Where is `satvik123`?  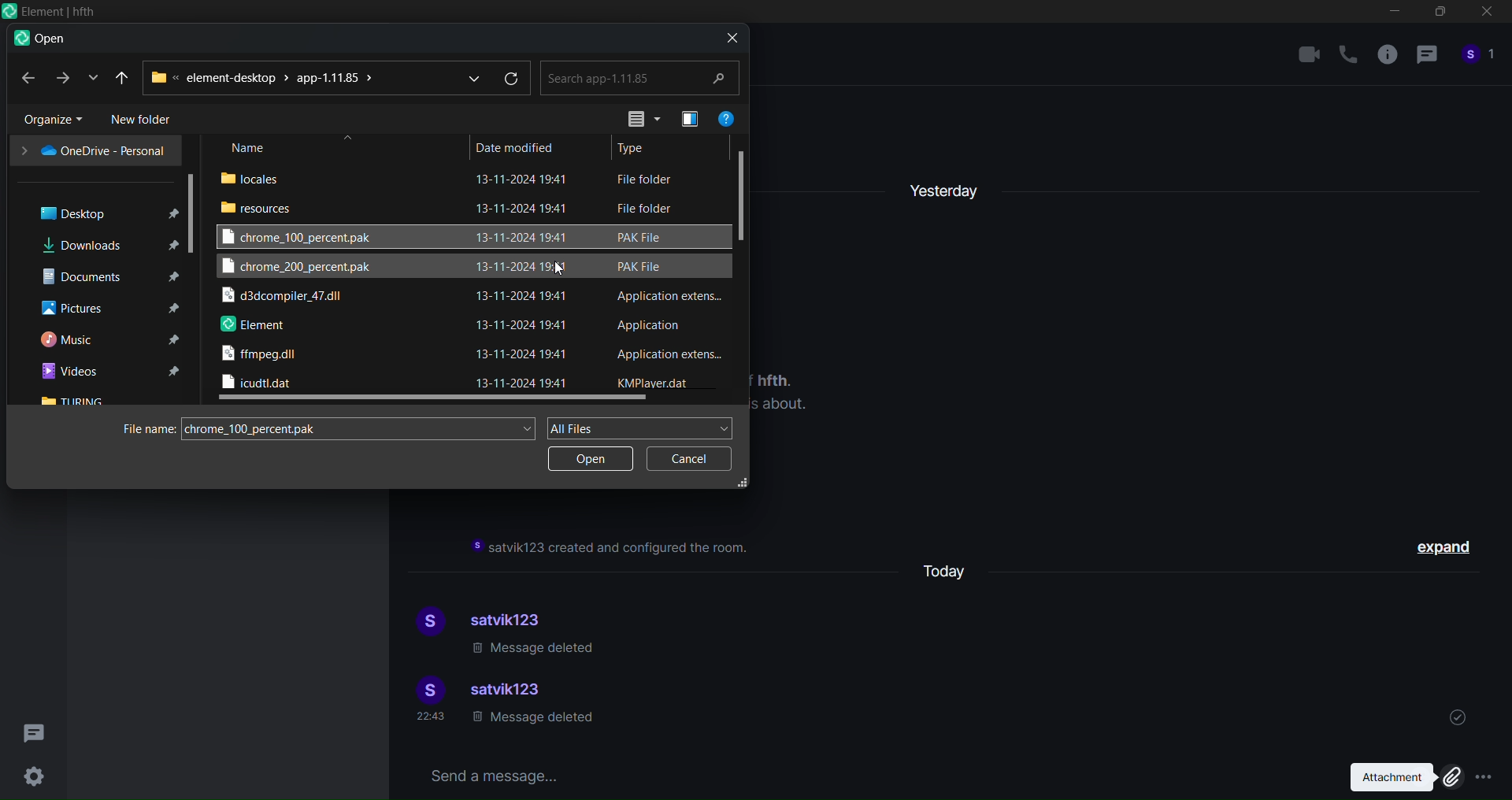 satvik123 is located at coordinates (514, 617).